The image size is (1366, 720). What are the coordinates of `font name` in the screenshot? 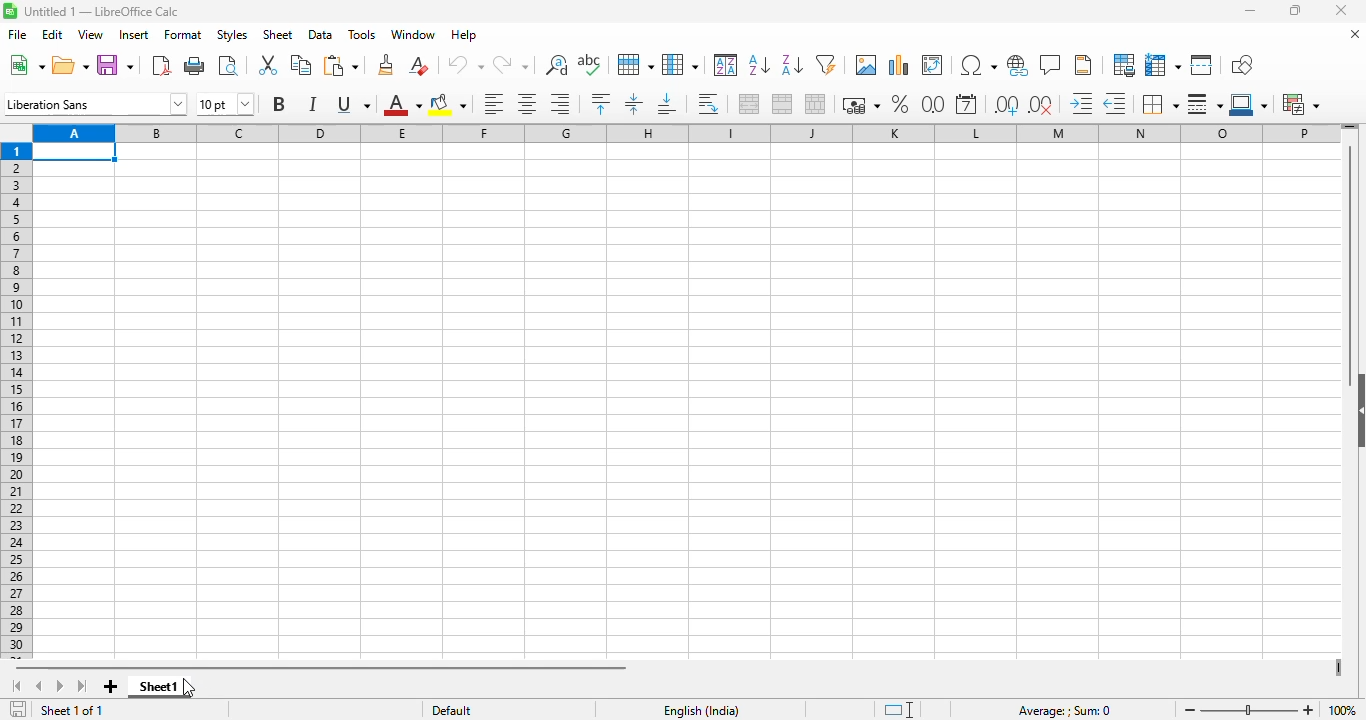 It's located at (95, 103).